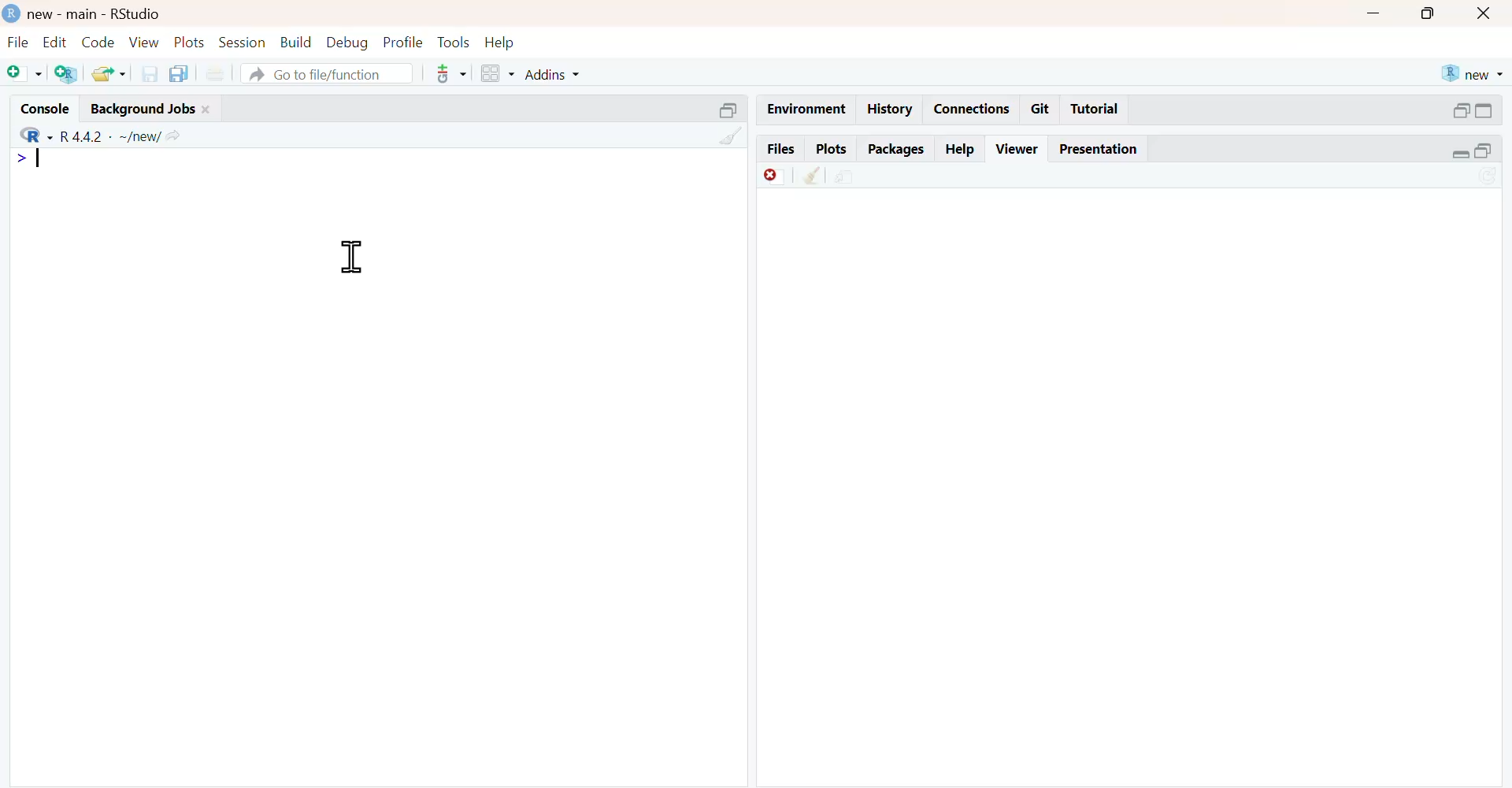 This screenshot has width=1512, height=788. Describe the element at coordinates (1460, 154) in the screenshot. I see `expand/collapse` at that location.